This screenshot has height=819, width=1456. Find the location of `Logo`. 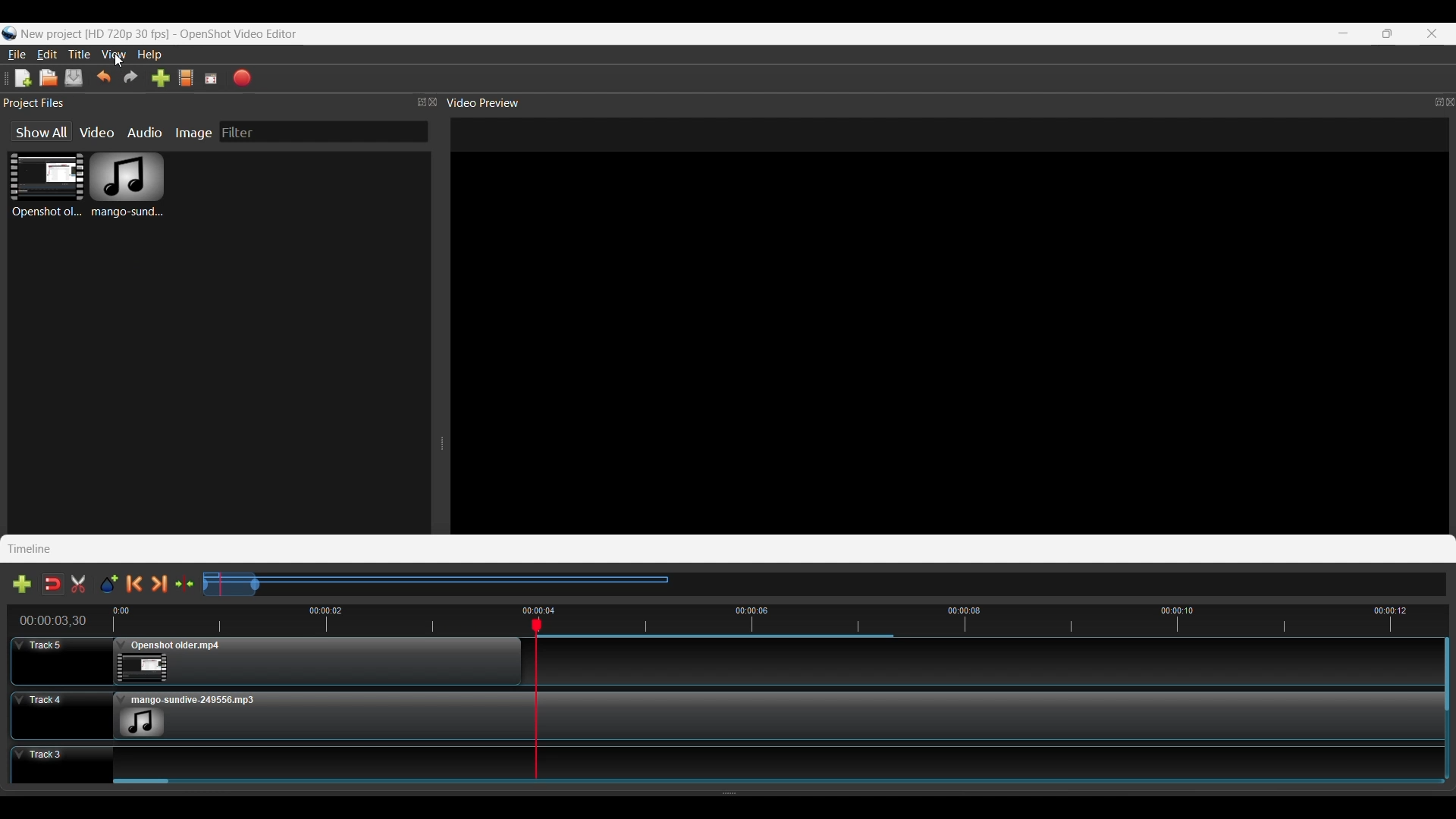

Logo is located at coordinates (151, 33).